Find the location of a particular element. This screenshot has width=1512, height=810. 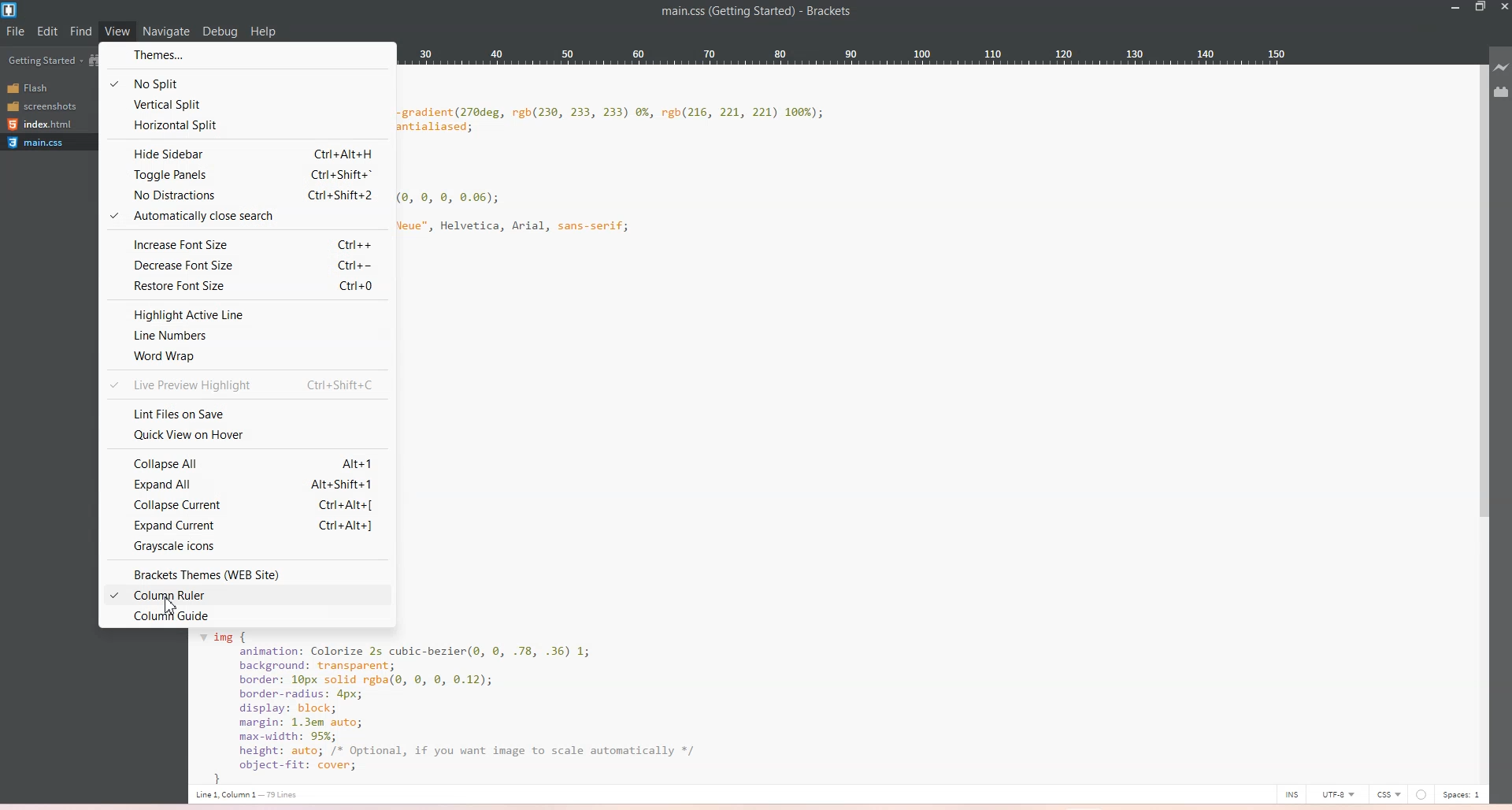

Decrease font size is located at coordinates (248, 266).